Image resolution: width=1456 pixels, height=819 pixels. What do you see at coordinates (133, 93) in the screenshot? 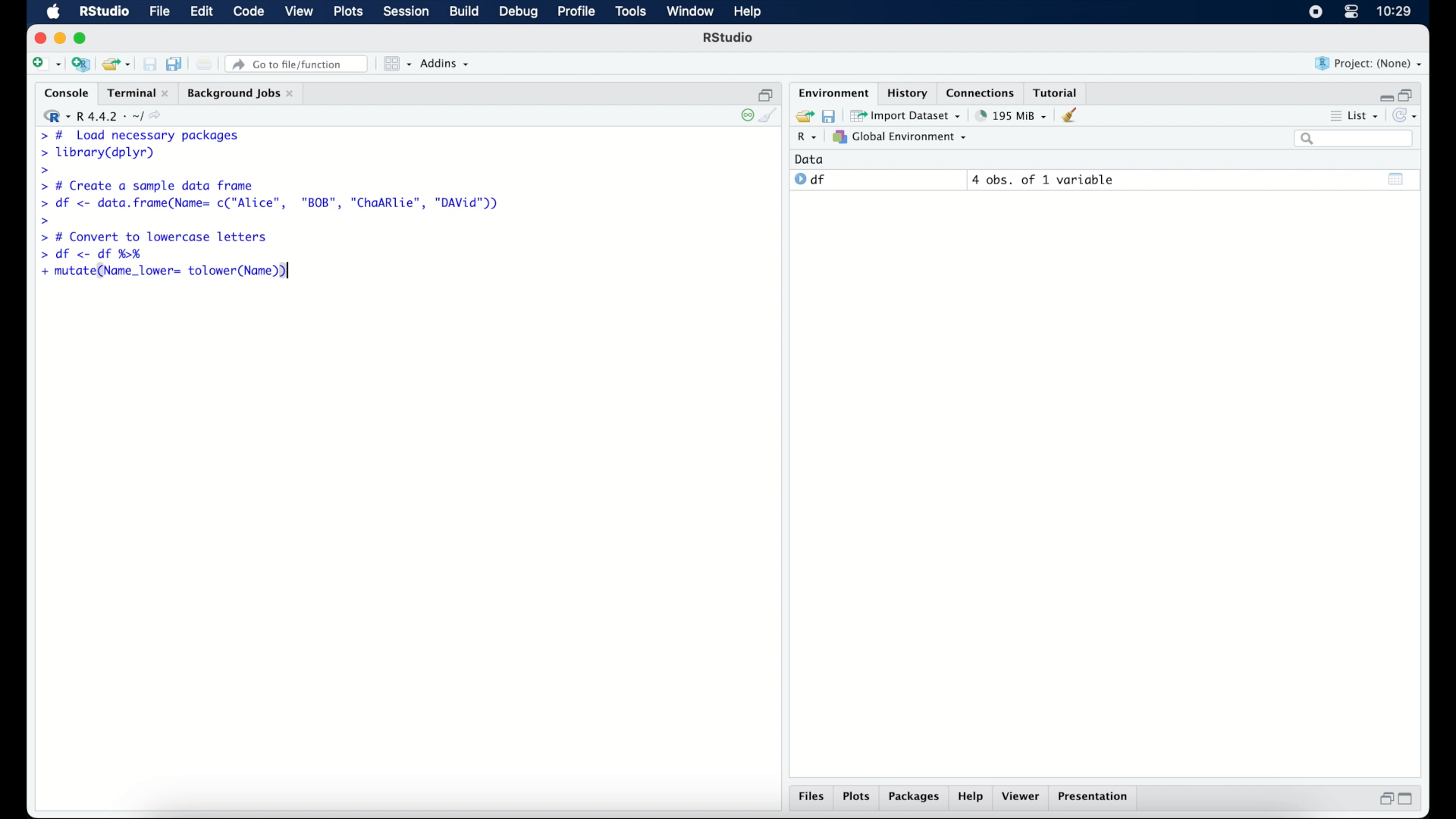
I see `Terminal` at bounding box center [133, 93].